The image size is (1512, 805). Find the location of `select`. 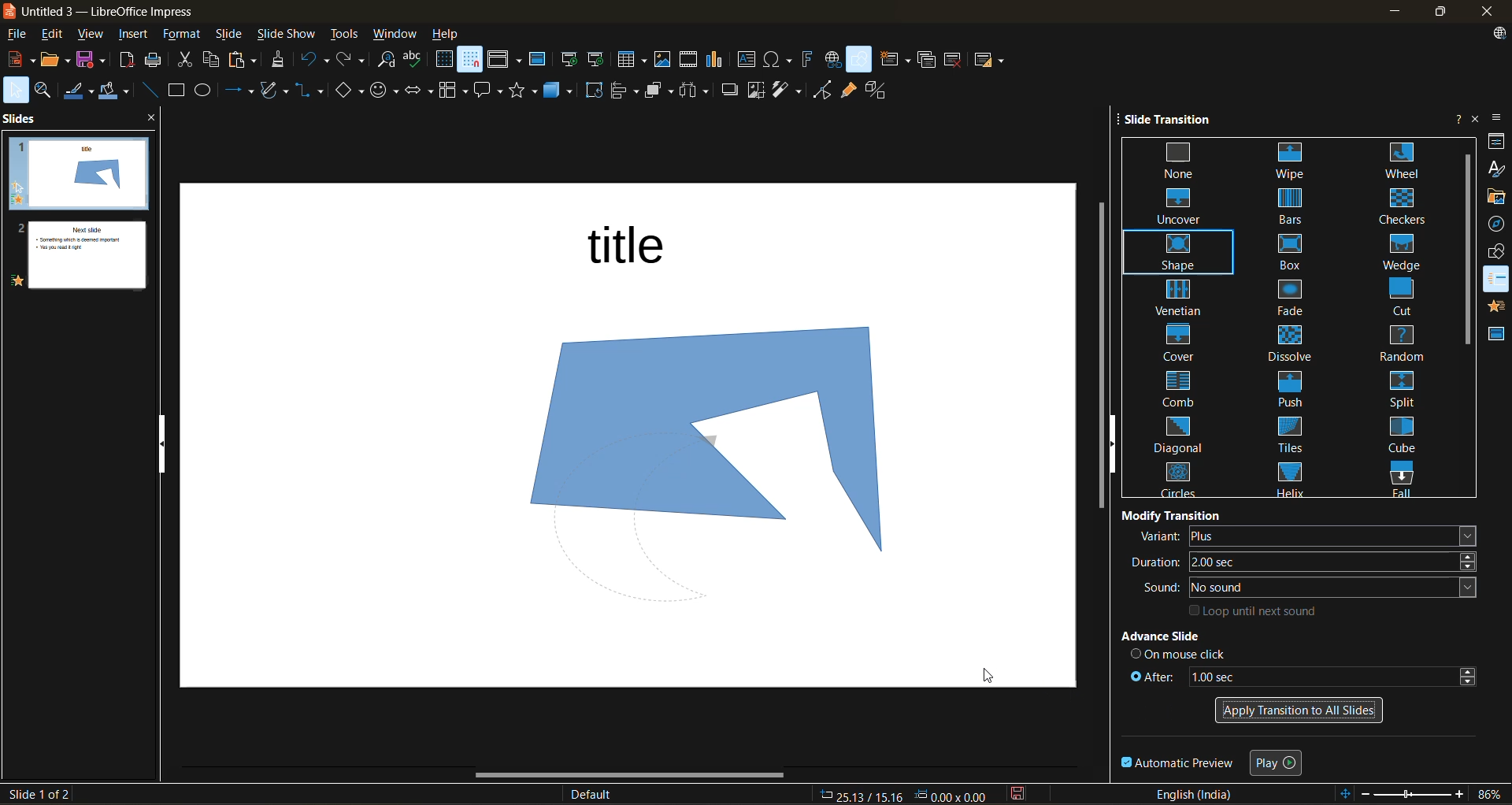

select is located at coordinates (15, 92).